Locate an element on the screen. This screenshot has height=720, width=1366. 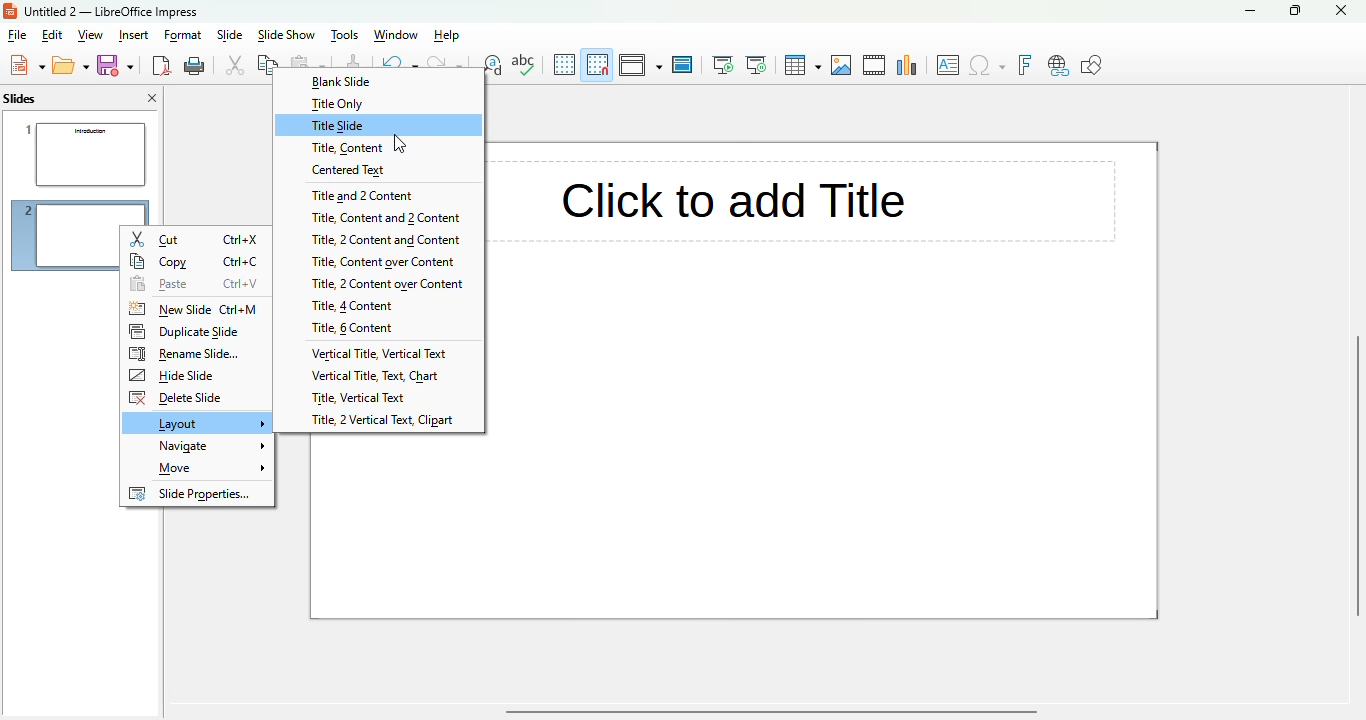
title, 6 content is located at coordinates (379, 328).